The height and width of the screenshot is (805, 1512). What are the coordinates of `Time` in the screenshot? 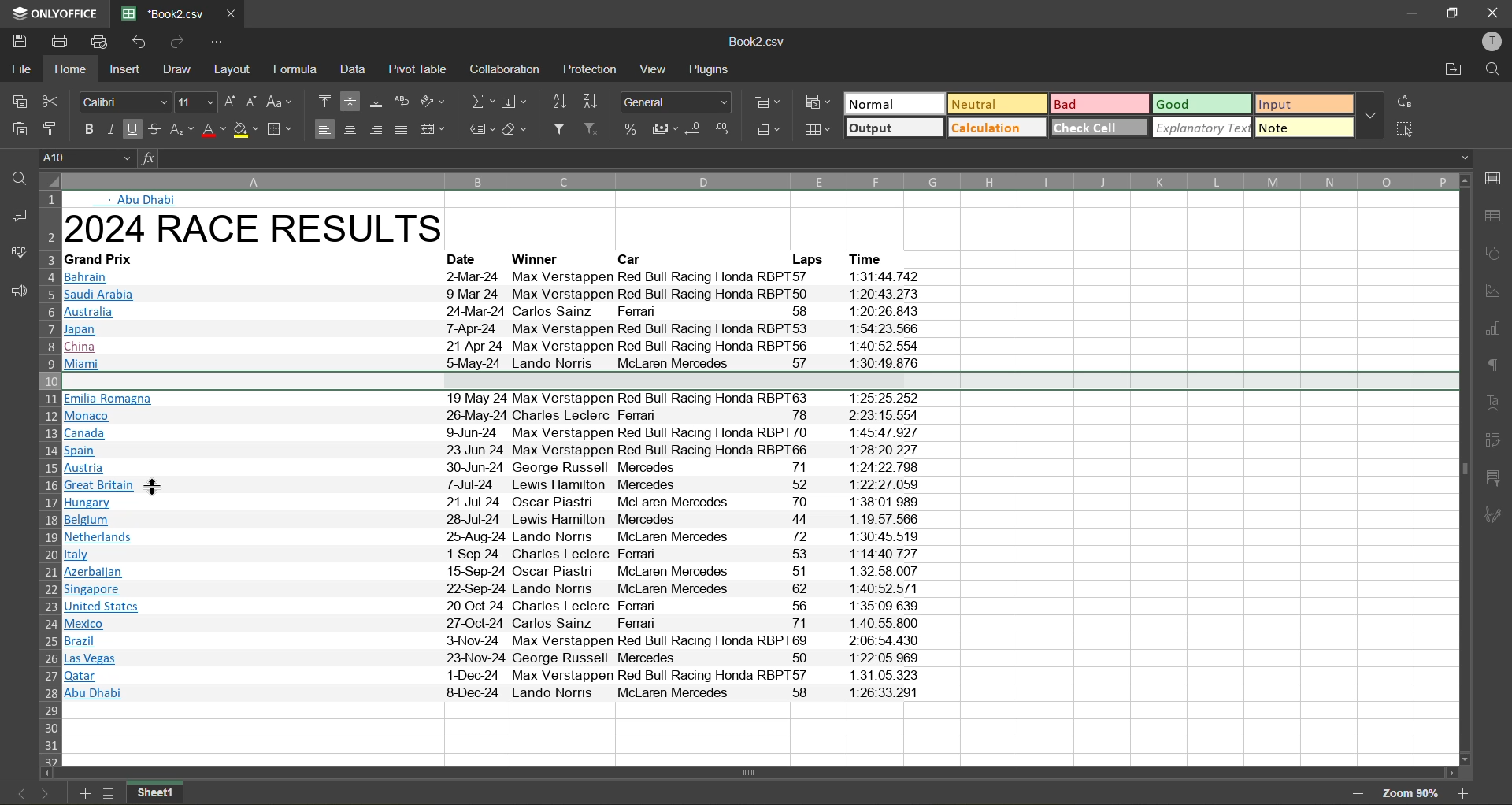 It's located at (871, 258).